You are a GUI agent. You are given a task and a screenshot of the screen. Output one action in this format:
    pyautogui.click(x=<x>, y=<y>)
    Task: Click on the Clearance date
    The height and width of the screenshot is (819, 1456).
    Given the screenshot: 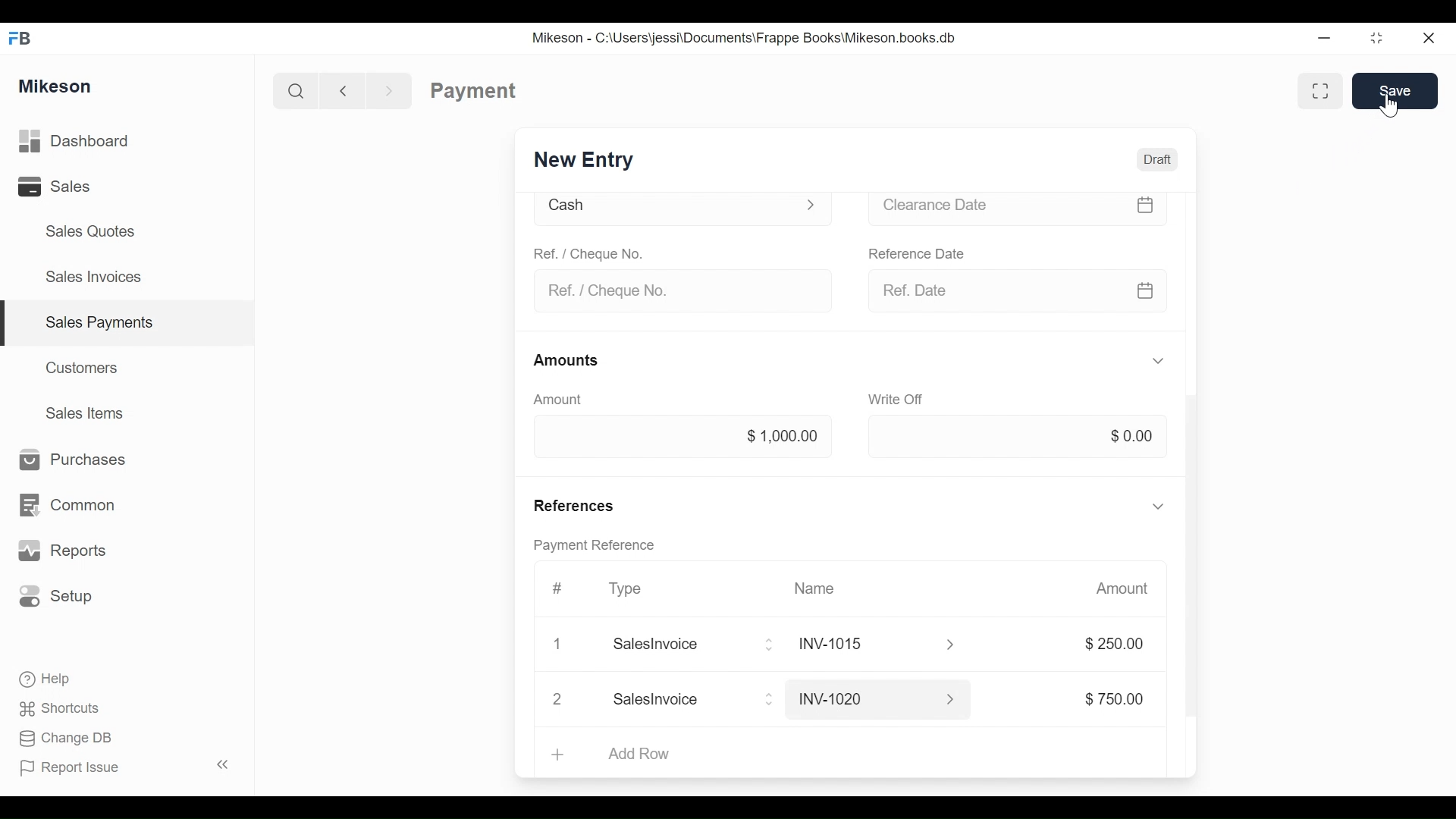 What is the action you would take?
    pyautogui.click(x=1015, y=209)
    